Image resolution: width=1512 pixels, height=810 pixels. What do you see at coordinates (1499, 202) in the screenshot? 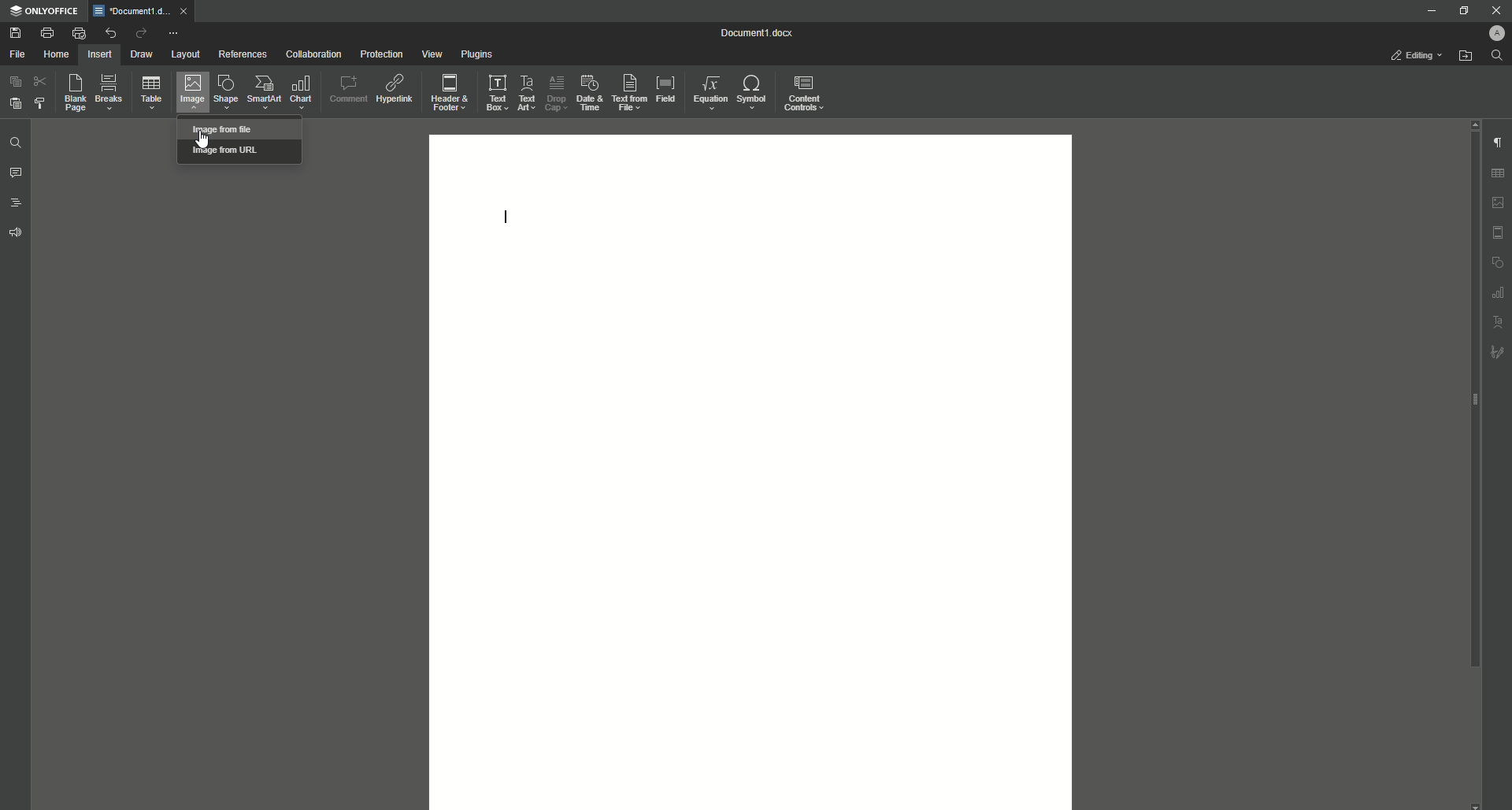
I see `Image Settings` at bounding box center [1499, 202].